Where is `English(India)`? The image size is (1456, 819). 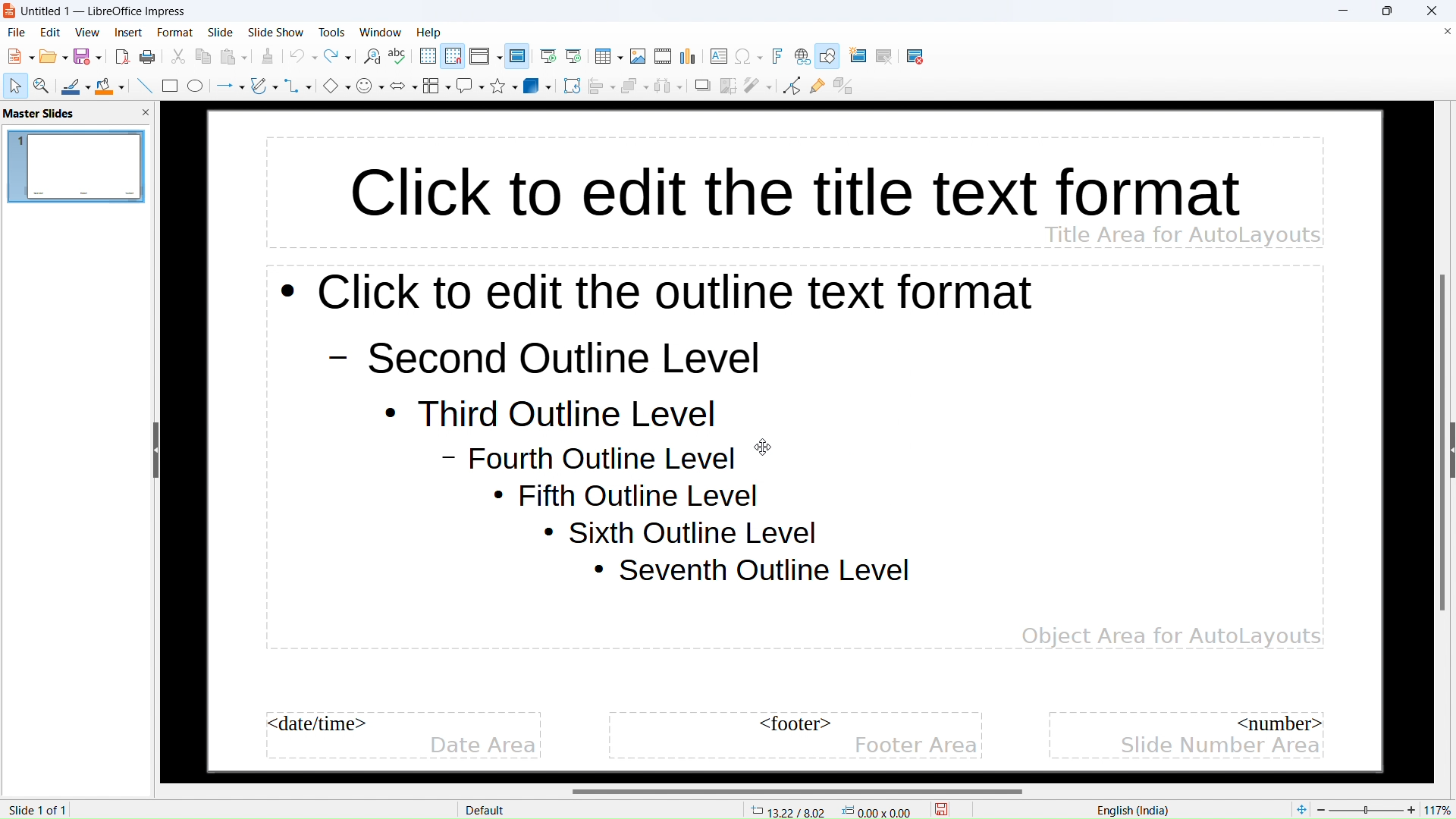
English(India) is located at coordinates (1129, 811).